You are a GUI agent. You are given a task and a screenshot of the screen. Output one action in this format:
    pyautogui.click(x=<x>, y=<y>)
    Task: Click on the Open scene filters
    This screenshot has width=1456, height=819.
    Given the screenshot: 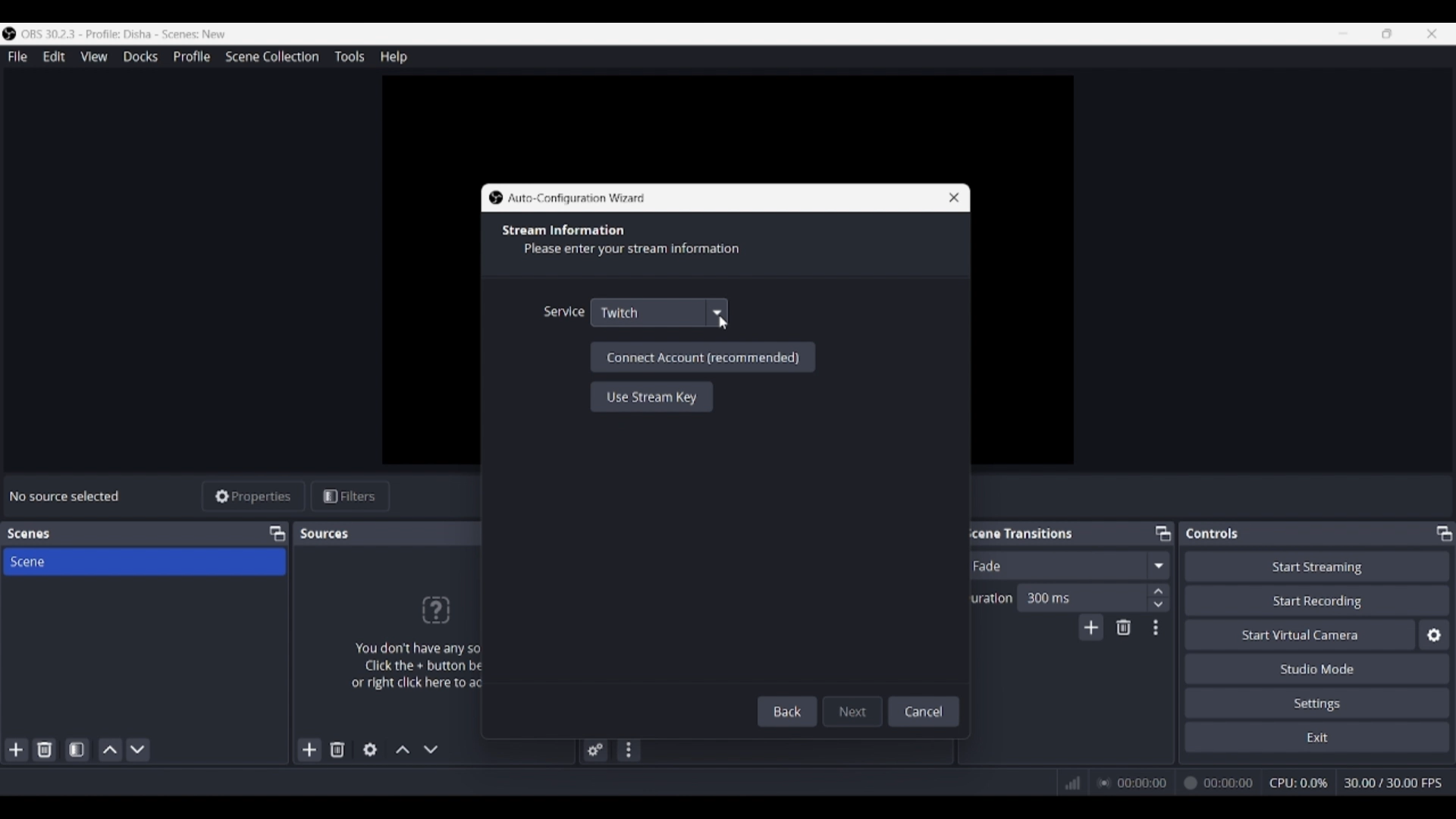 What is the action you would take?
    pyautogui.click(x=77, y=749)
    